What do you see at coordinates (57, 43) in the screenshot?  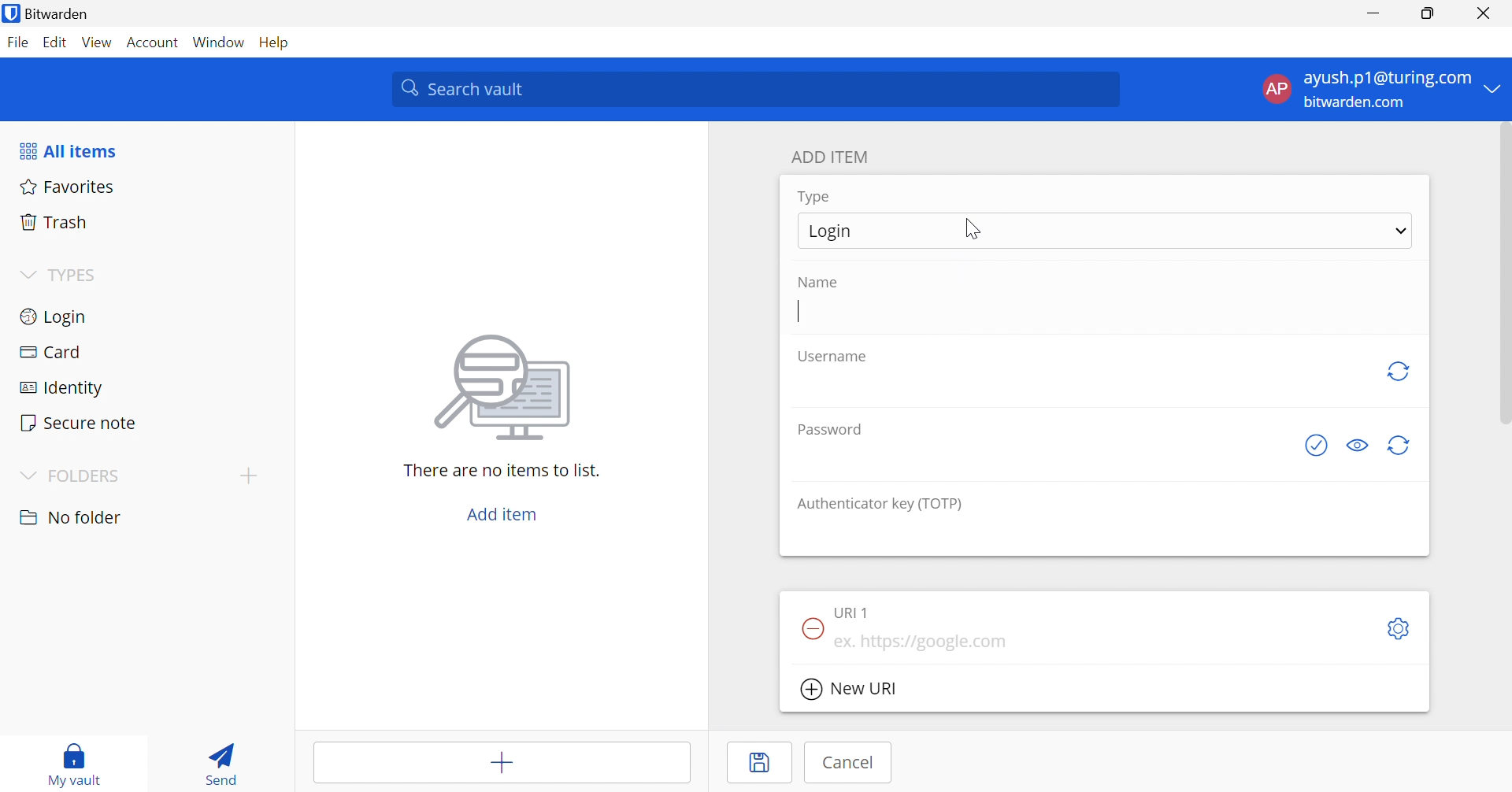 I see `Edit` at bounding box center [57, 43].